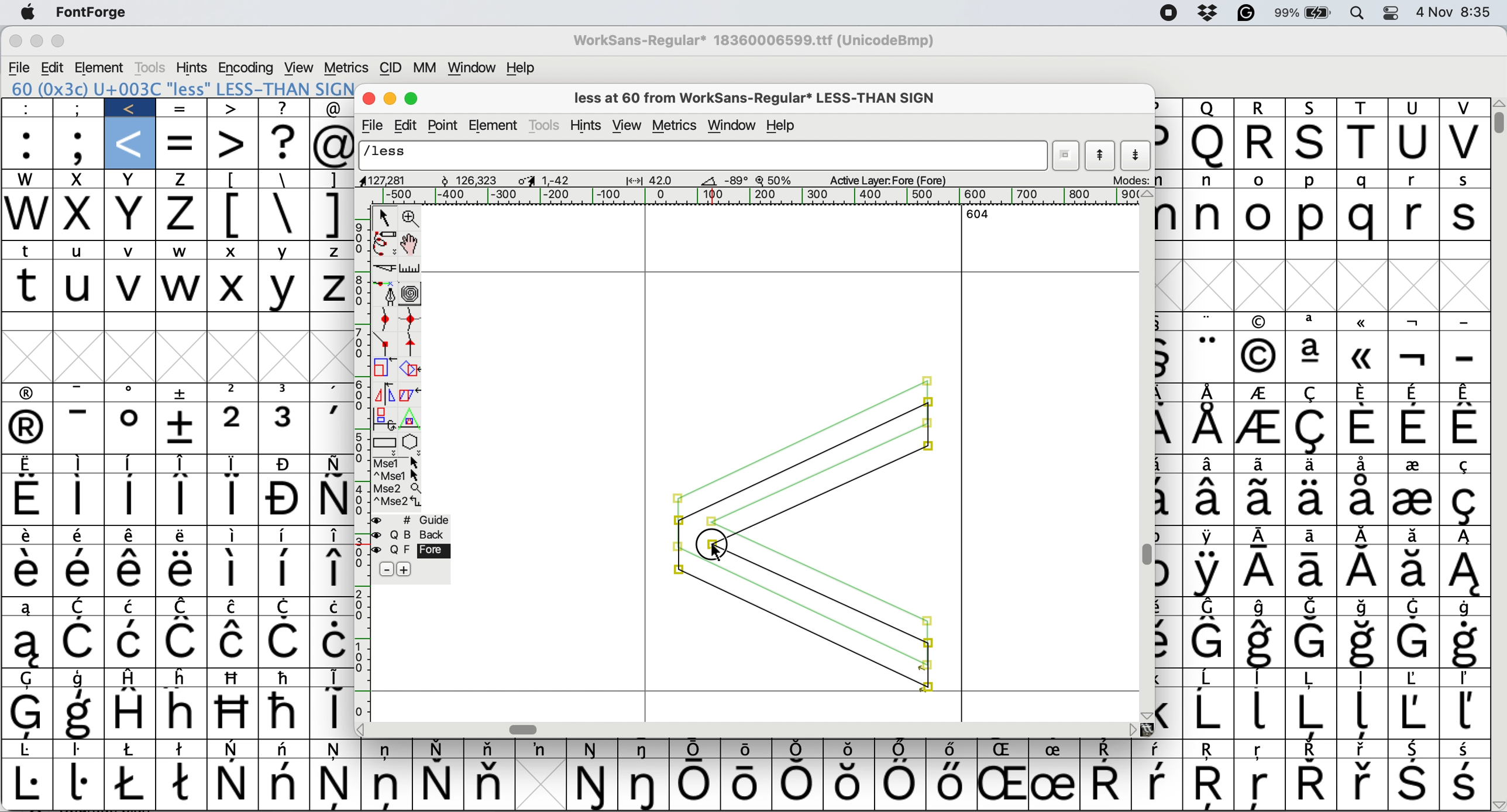  What do you see at coordinates (338, 750) in the screenshot?
I see `Symbol` at bounding box center [338, 750].